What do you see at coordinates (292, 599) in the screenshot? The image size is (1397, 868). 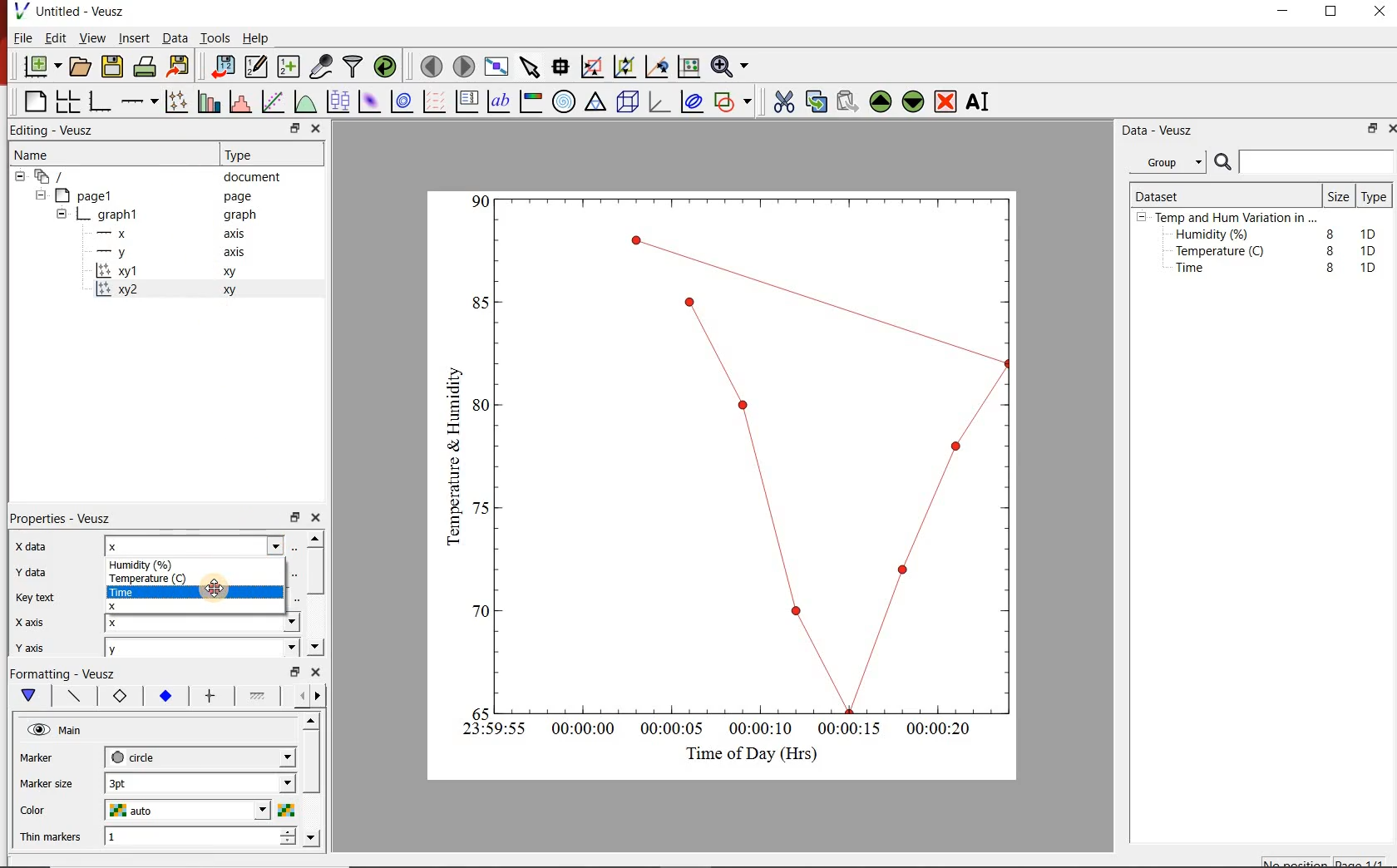 I see `edit text` at bounding box center [292, 599].